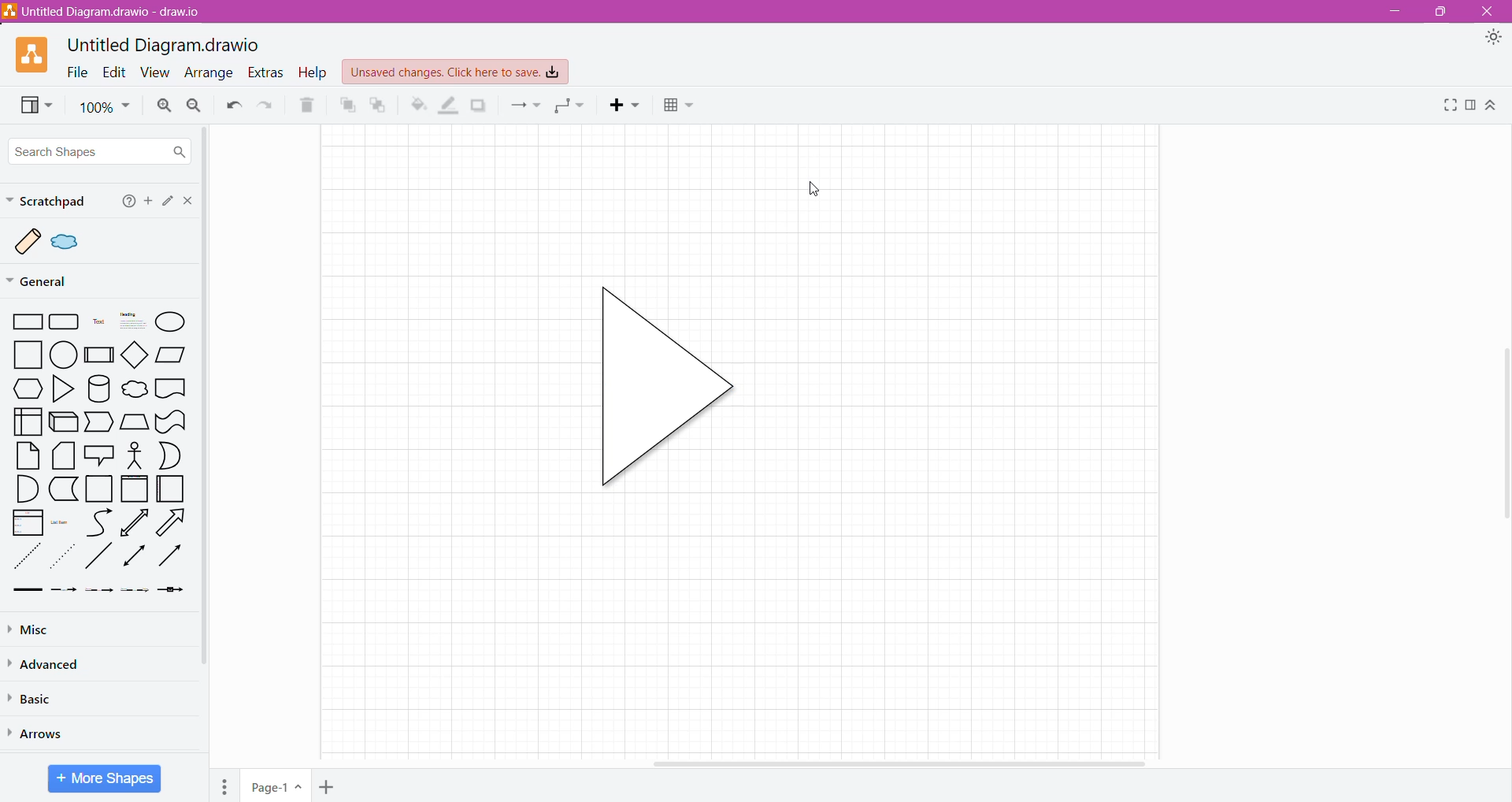  I want to click on Help, so click(315, 72).